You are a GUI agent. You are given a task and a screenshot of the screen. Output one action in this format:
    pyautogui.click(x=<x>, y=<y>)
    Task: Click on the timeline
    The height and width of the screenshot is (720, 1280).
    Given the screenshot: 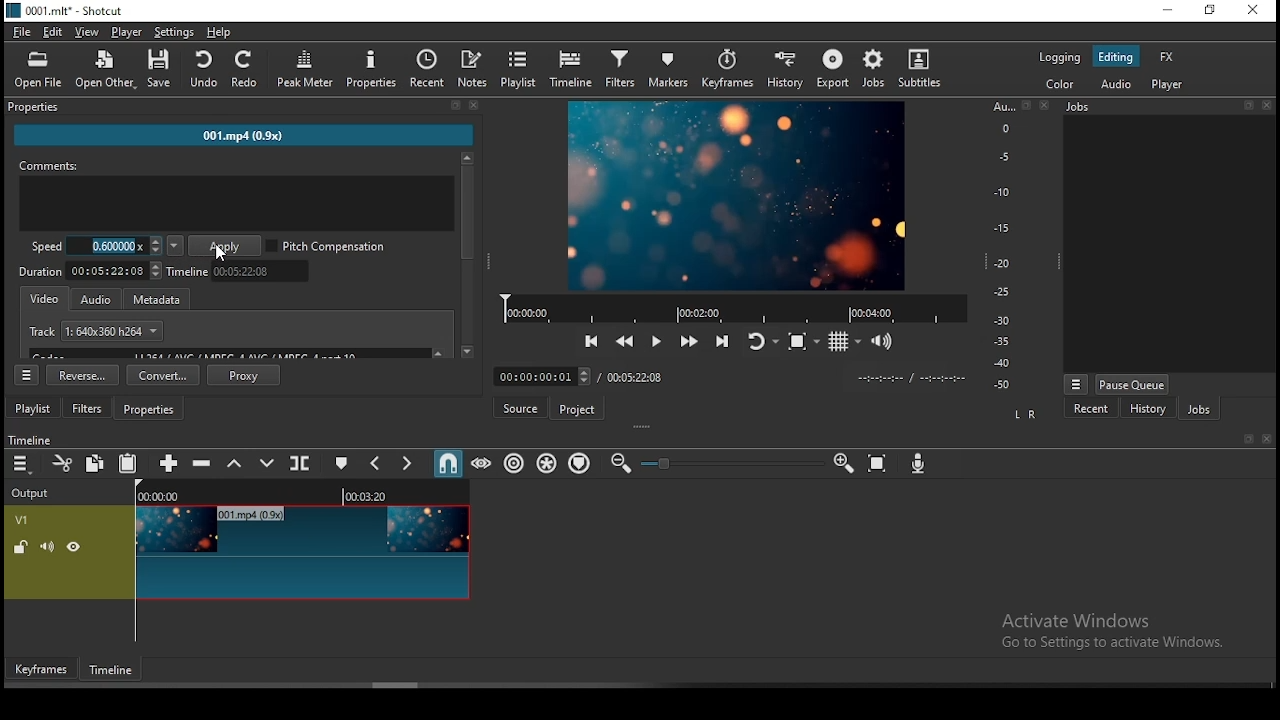 What is the action you would take?
    pyautogui.click(x=30, y=440)
    